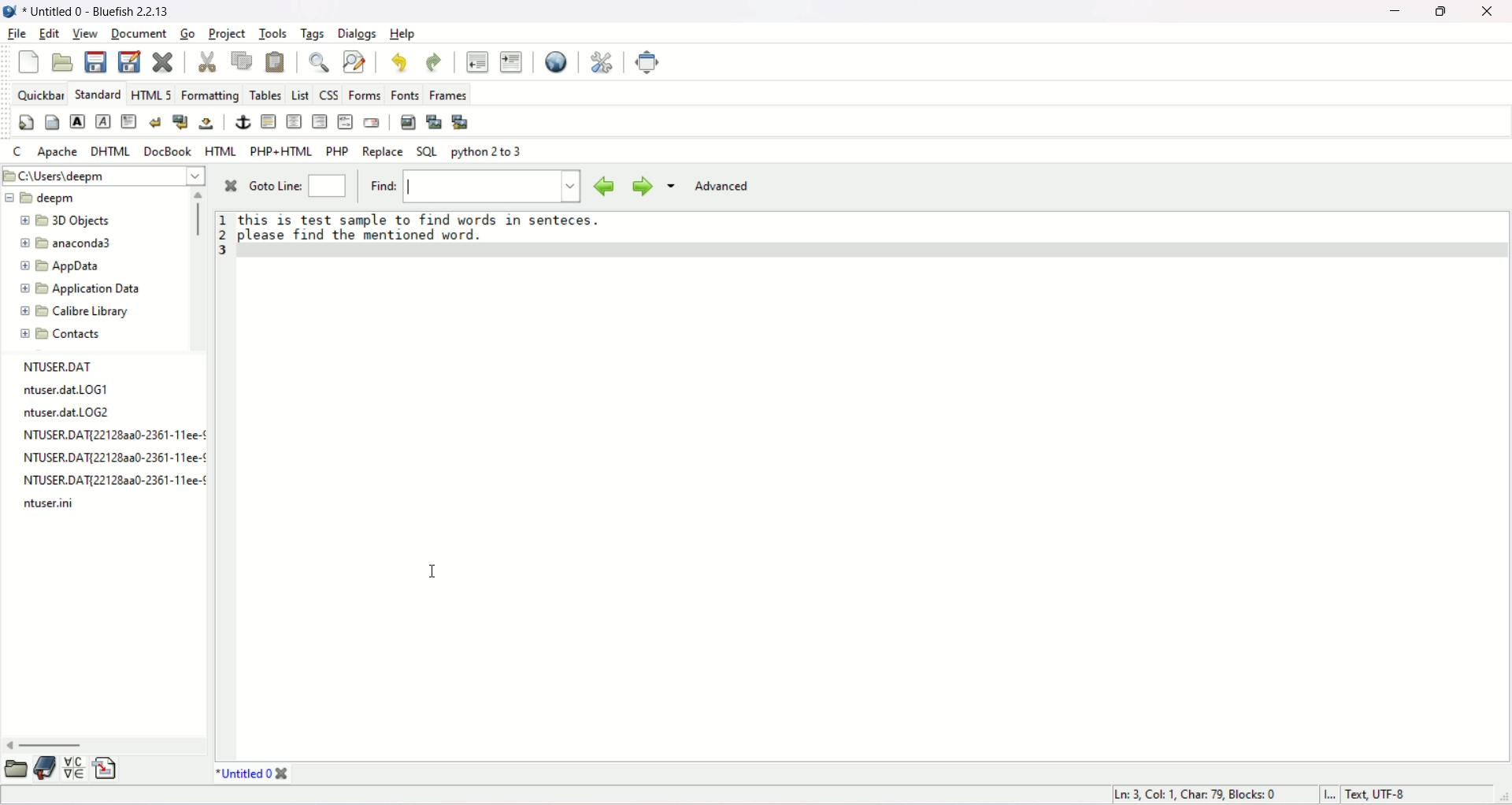 The height and width of the screenshot is (805, 1512). What do you see at coordinates (427, 151) in the screenshot?
I see `SQL` at bounding box center [427, 151].